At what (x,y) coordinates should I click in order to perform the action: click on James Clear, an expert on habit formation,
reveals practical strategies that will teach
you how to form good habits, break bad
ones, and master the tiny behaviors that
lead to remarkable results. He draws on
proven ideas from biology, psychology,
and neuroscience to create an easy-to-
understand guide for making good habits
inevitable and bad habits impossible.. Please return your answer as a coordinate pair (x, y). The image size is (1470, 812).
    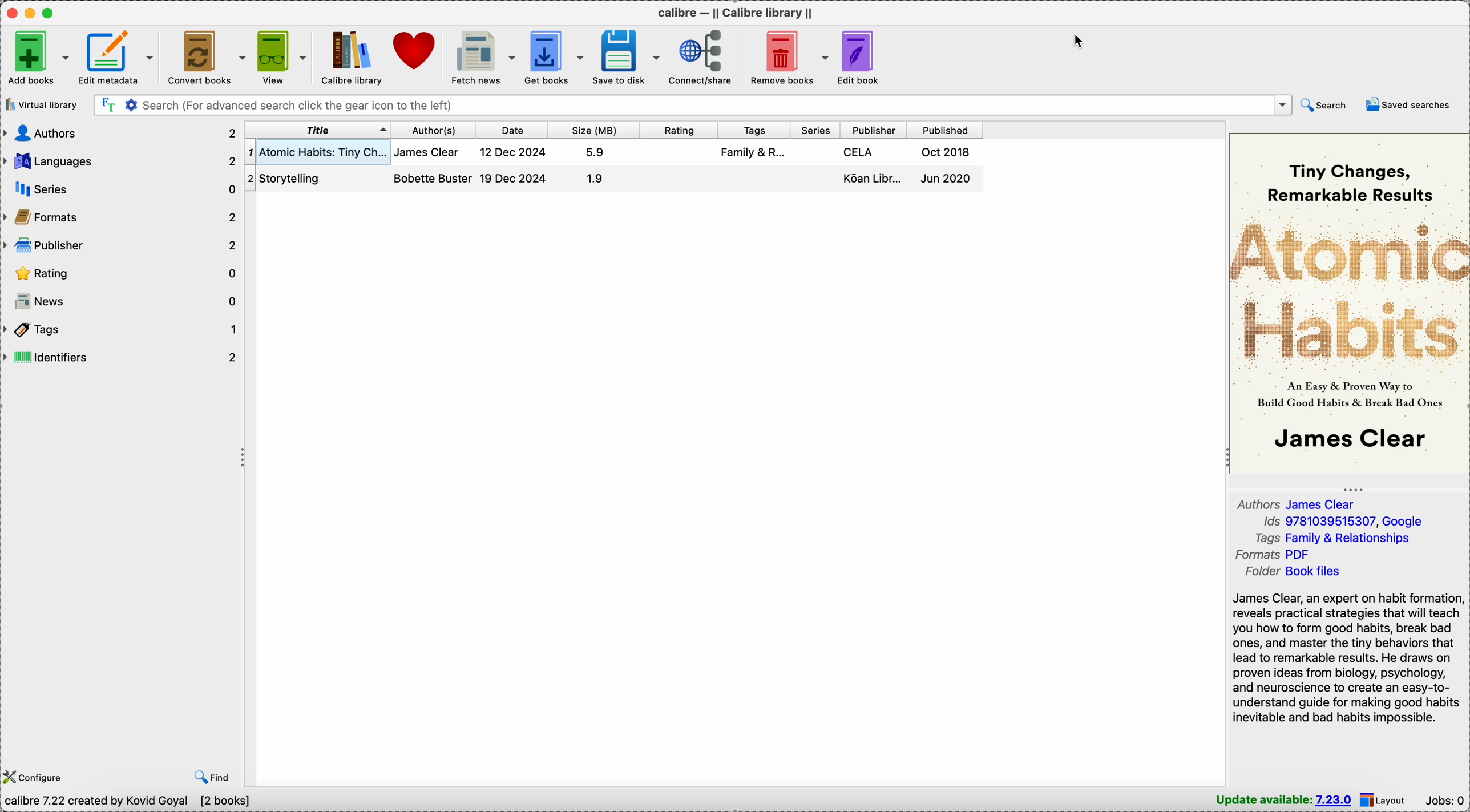
    Looking at the image, I should click on (1347, 657).